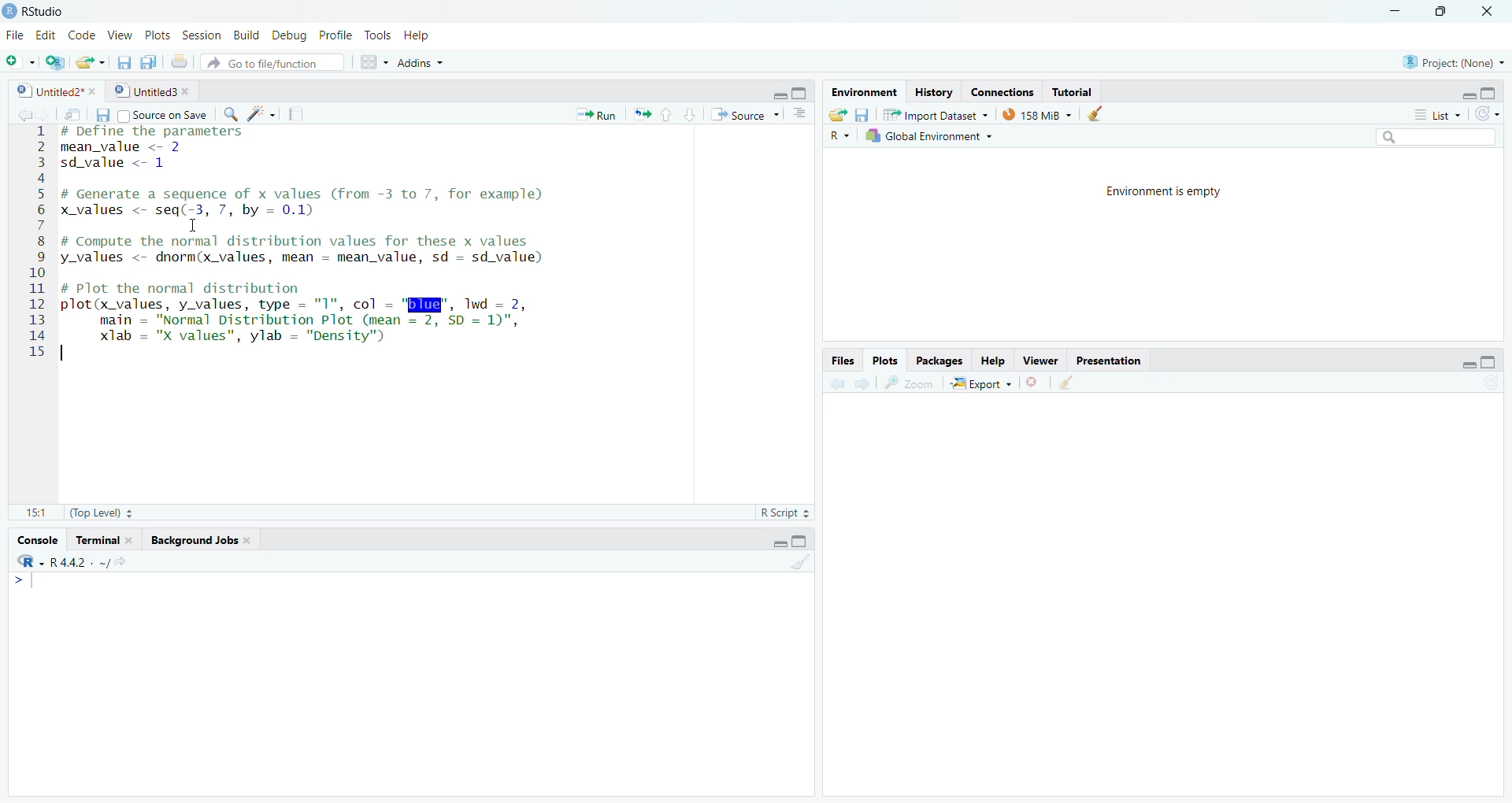 The width and height of the screenshot is (1512, 803). What do you see at coordinates (675, 113) in the screenshot?
I see `` at bounding box center [675, 113].